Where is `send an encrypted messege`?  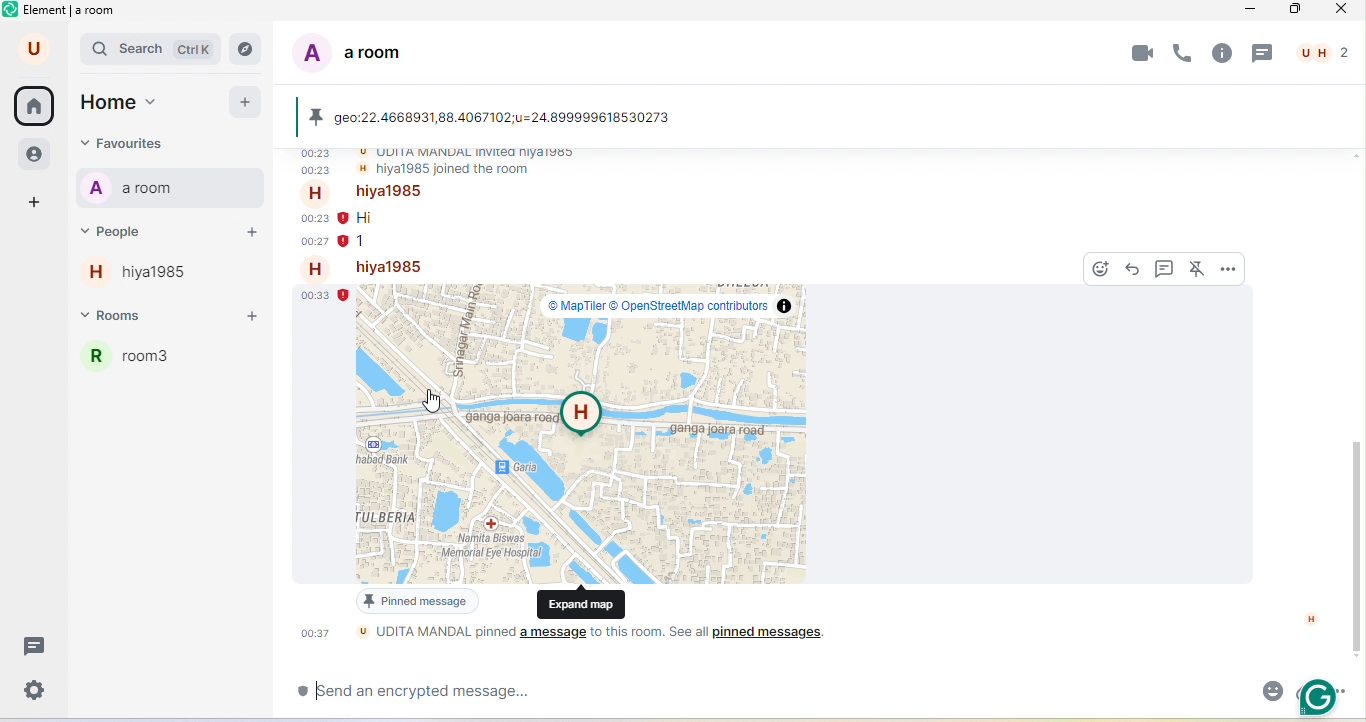
send an encrypted messege is located at coordinates (427, 695).